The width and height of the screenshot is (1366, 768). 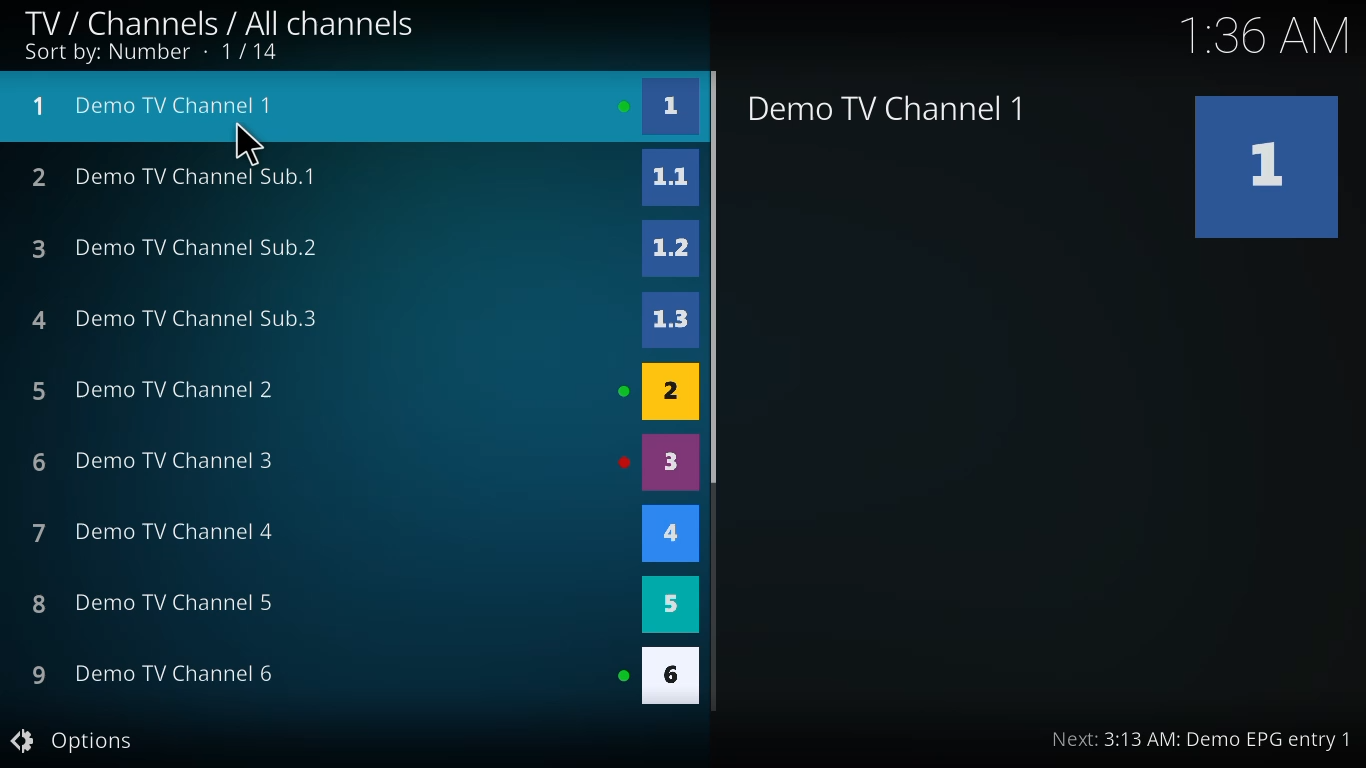 What do you see at coordinates (669, 392) in the screenshot?
I see `2` at bounding box center [669, 392].